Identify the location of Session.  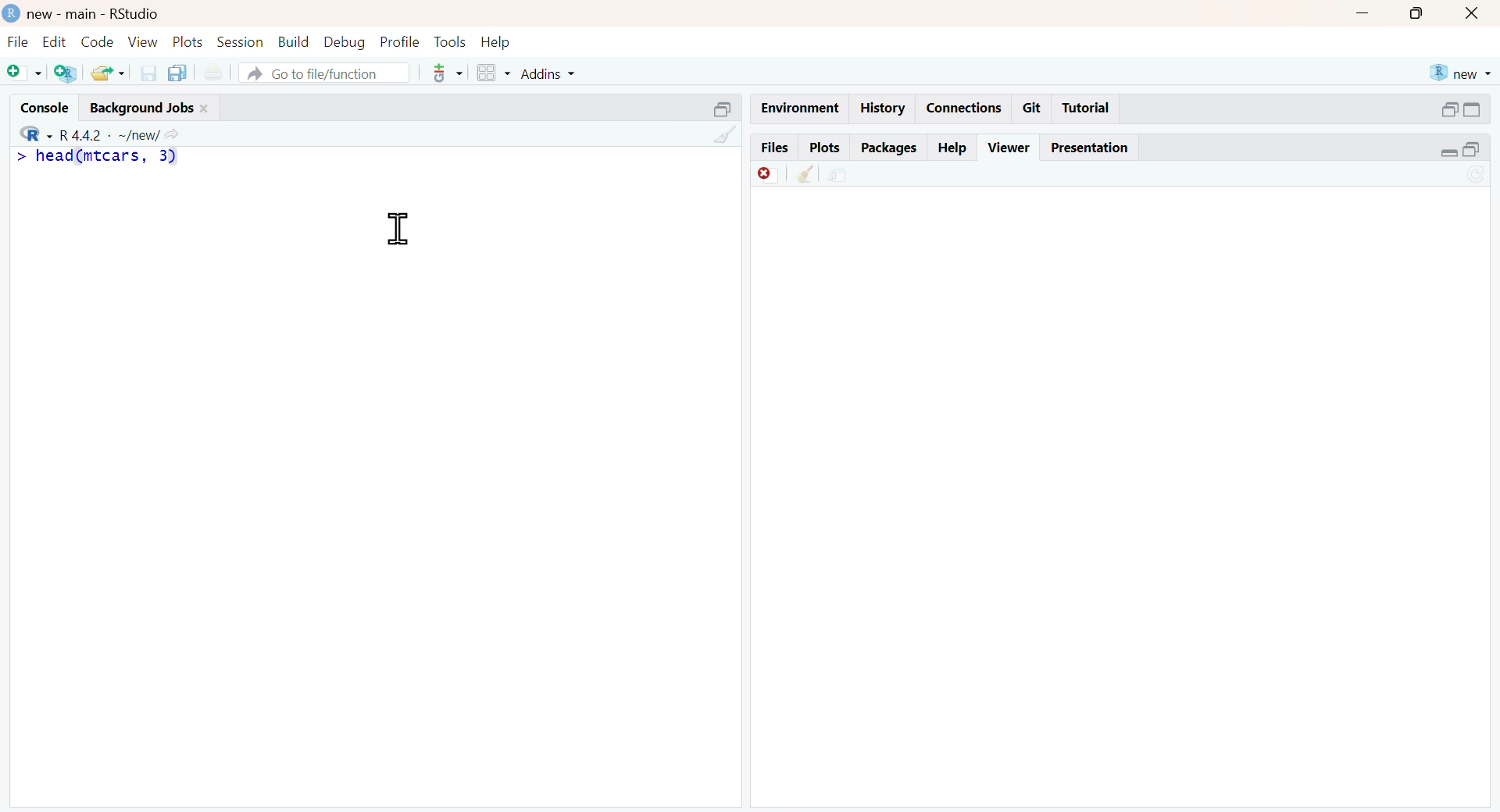
(240, 42).